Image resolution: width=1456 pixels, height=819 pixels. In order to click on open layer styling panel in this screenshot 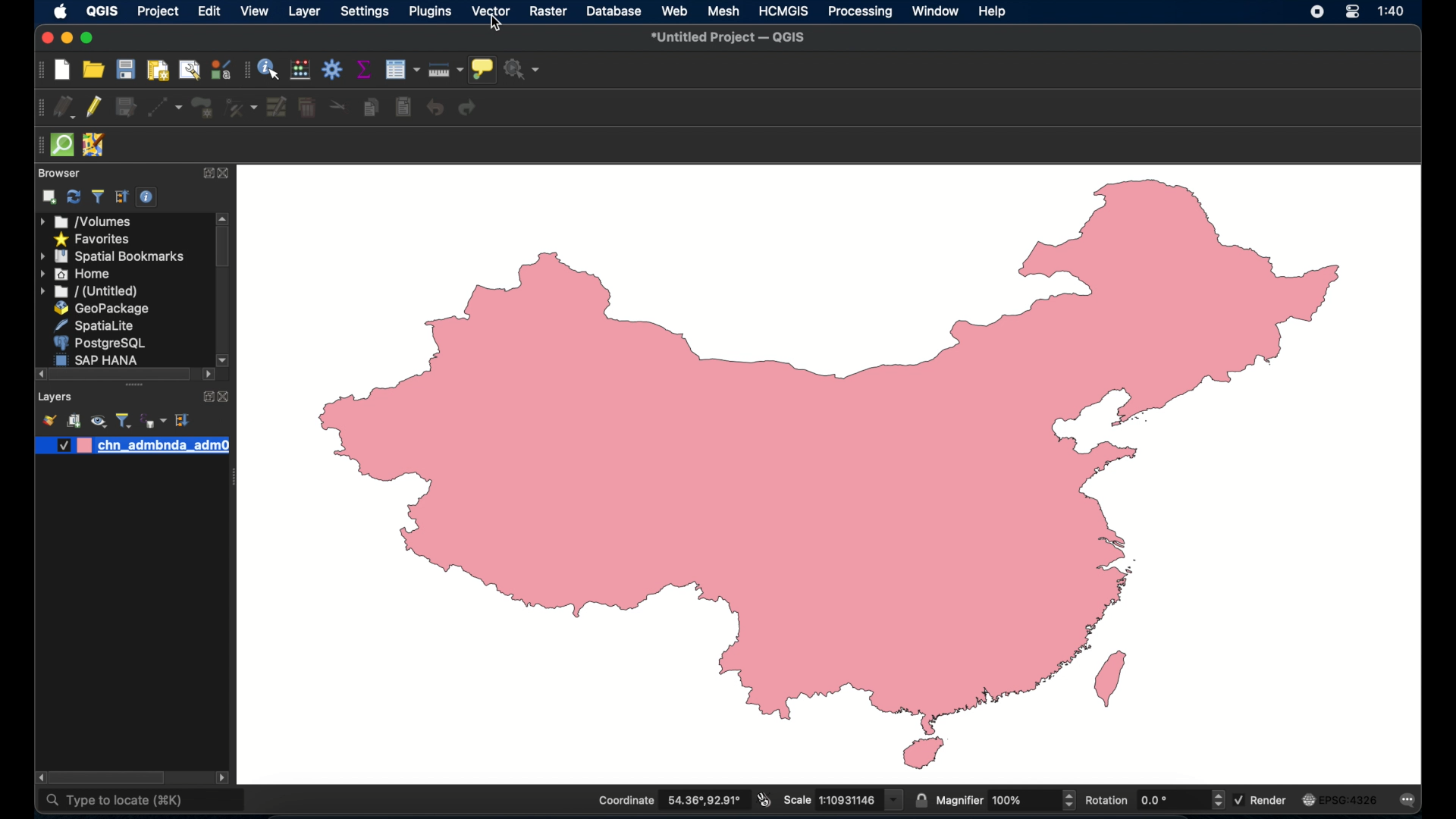, I will do `click(48, 419)`.